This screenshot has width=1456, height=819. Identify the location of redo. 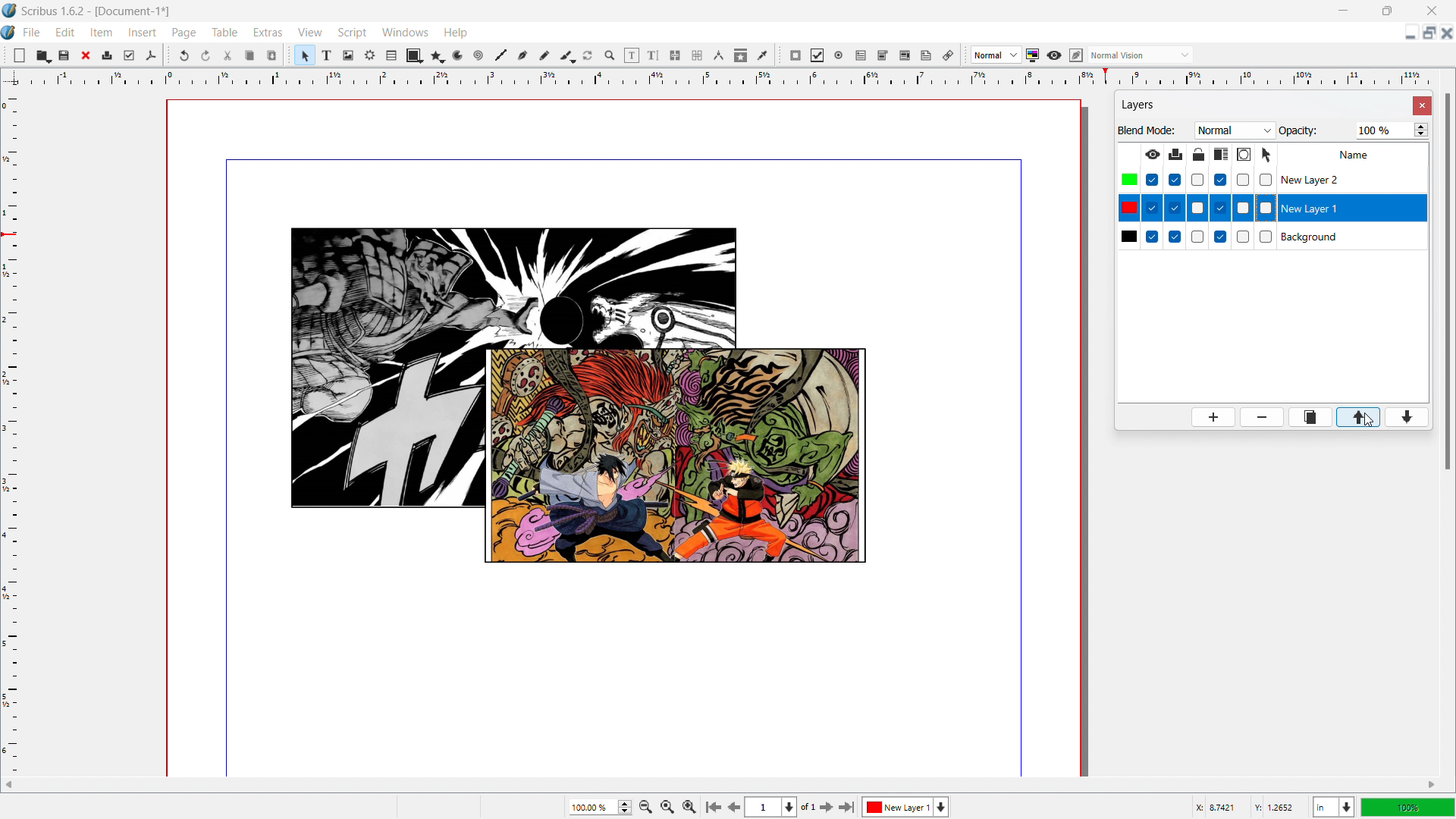
(206, 55).